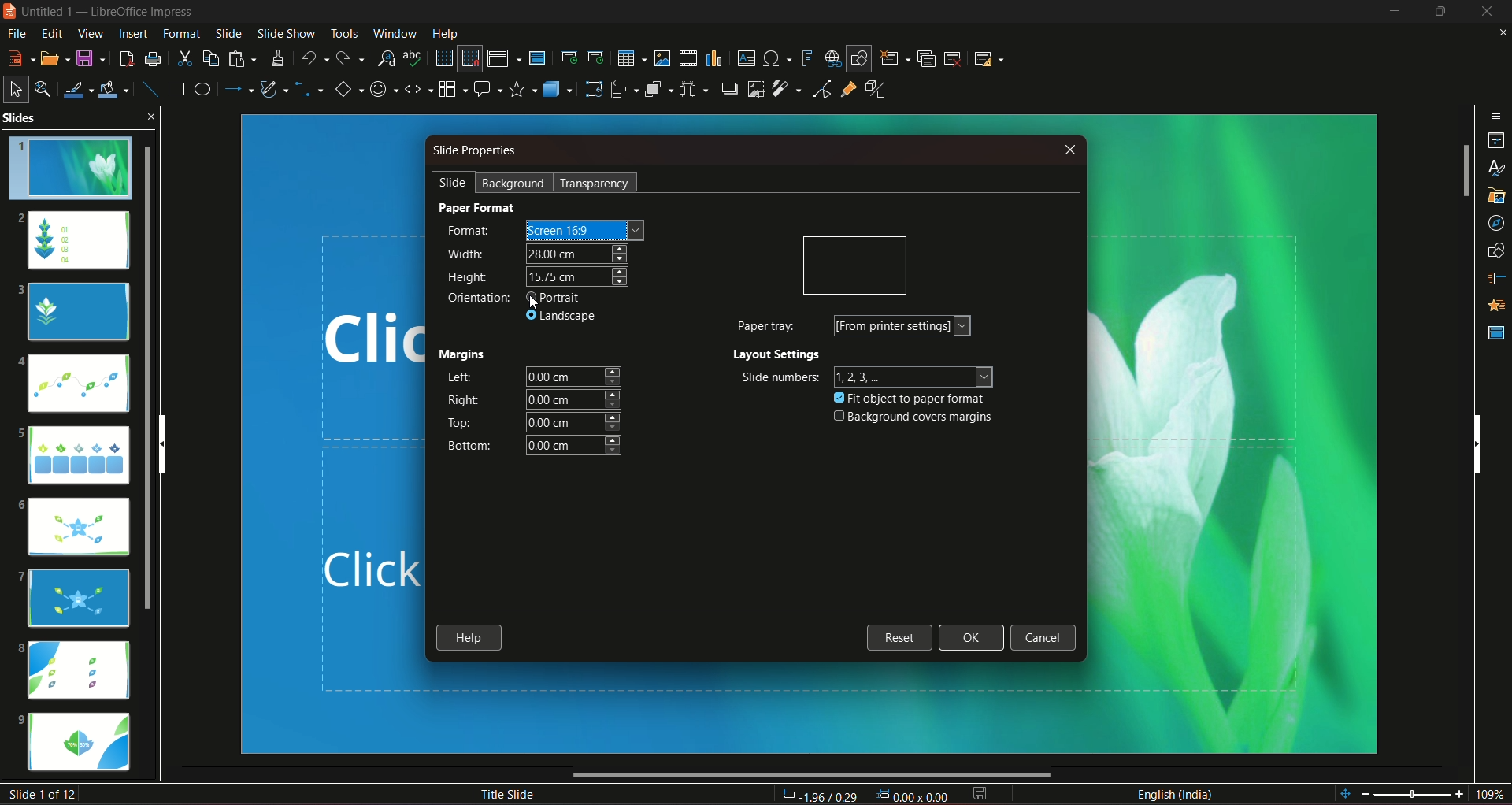 This screenshot has width=1512, height=805. What do you see at coordinates (557, 88) in the screenshot?
I see `3D objects` at bounding box center [557, 88].